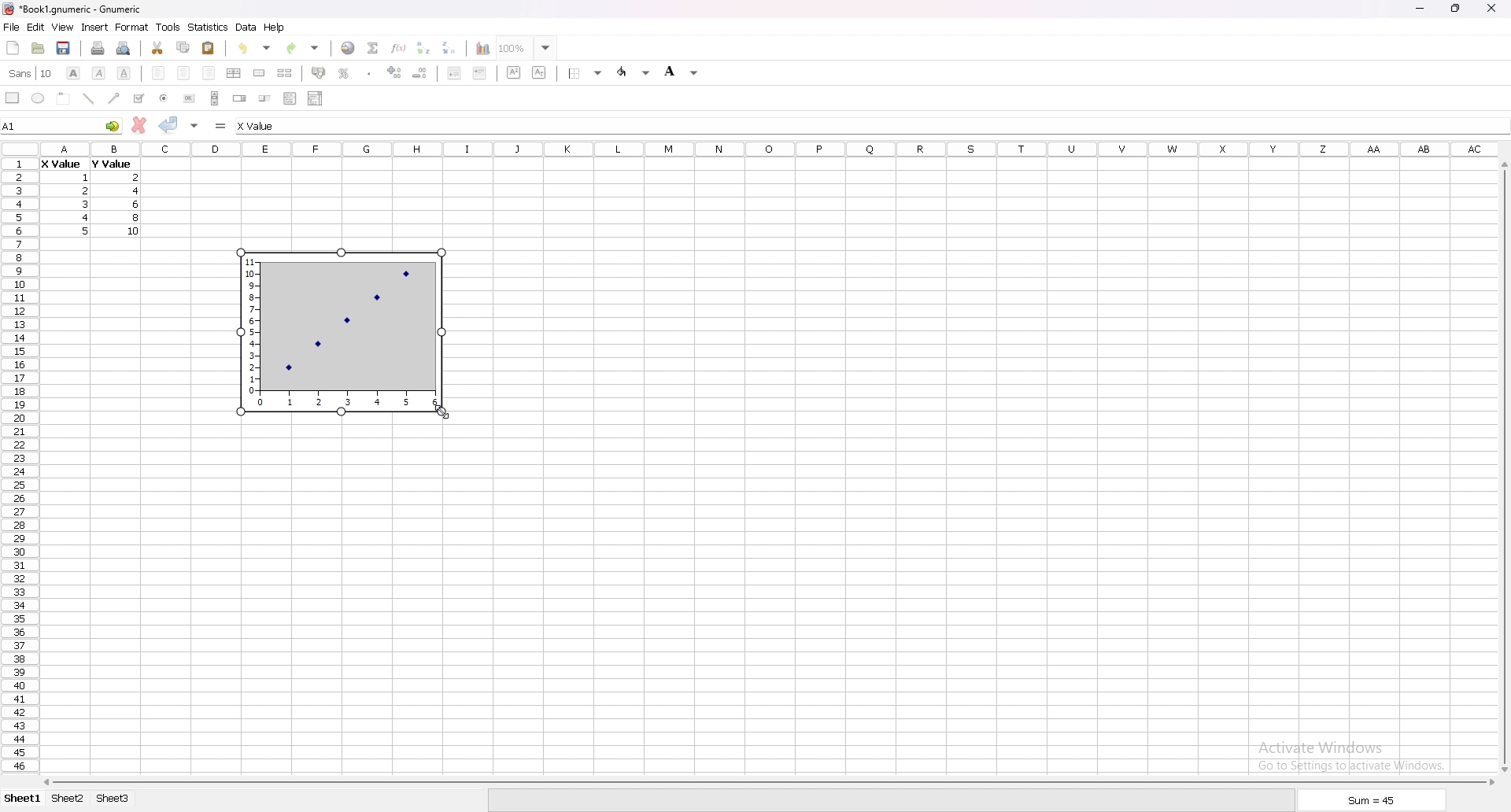 The height and width of the screenshot is (812, 1511). What do you see at coordinates (113, 799) in the screenshot?
I see `sheet 3` at bounding box center [113, 799].